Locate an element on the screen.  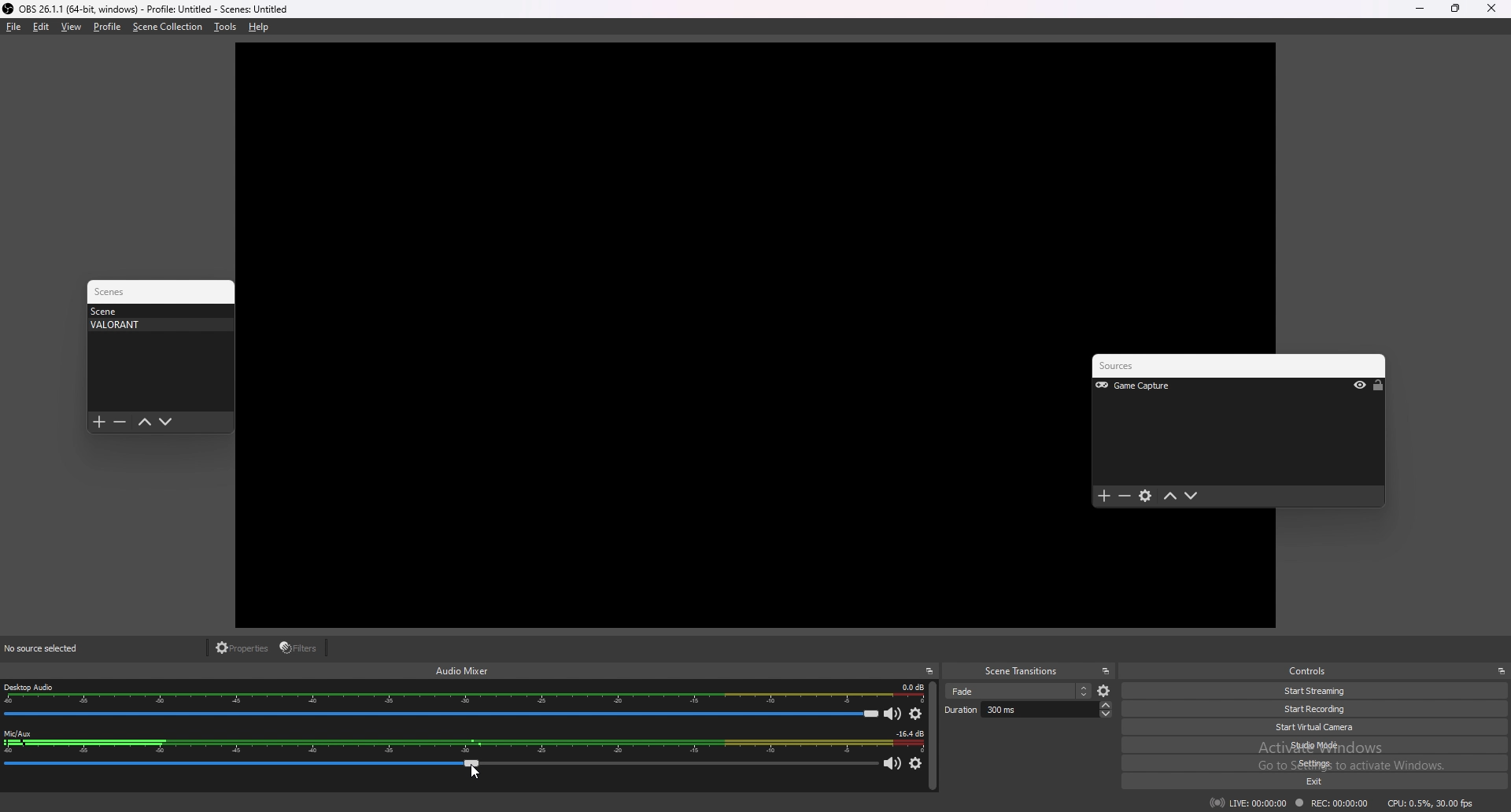
pop out is located at coordinates (1501, 671).